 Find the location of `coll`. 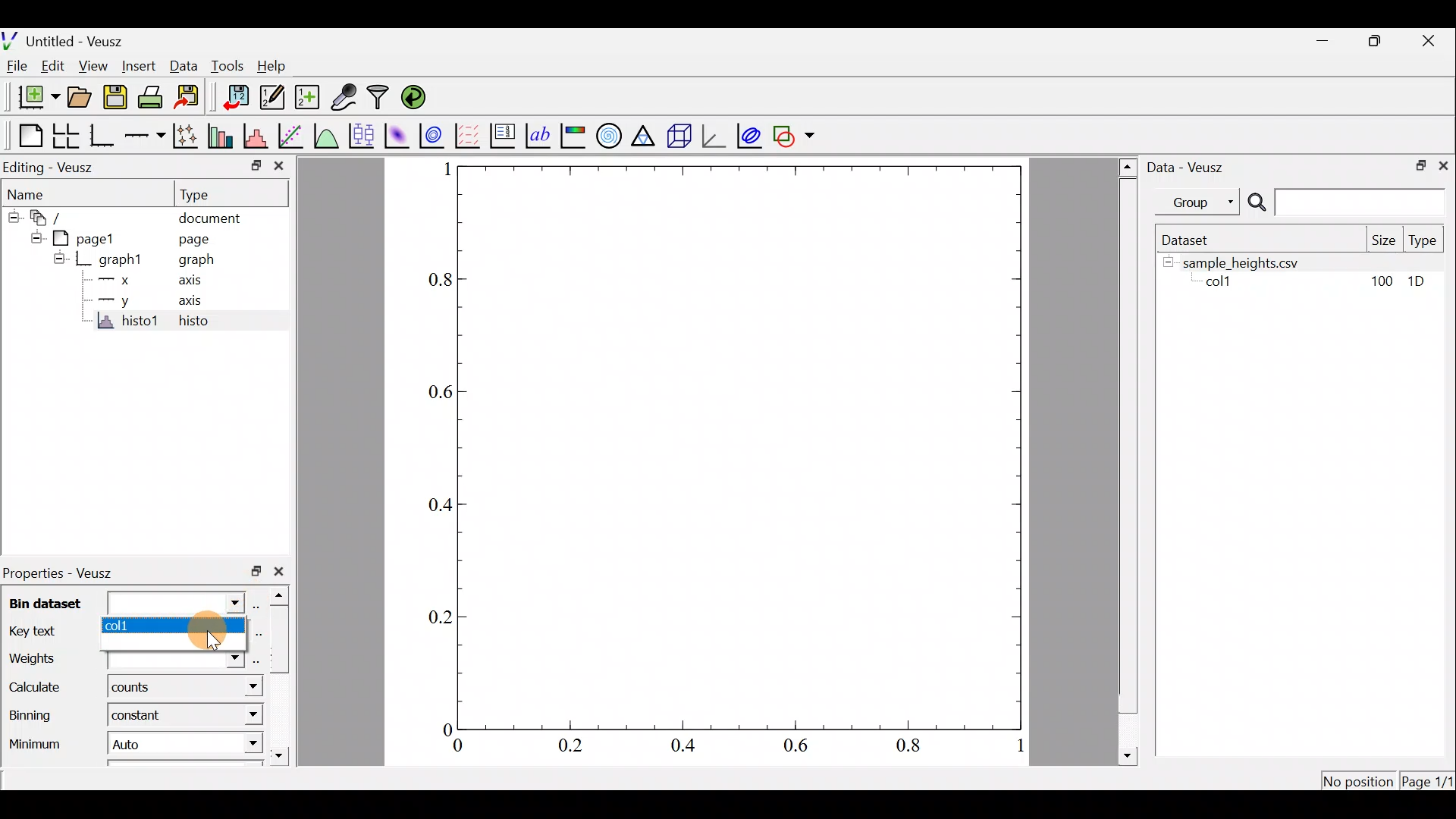

coll is located at coordinates (1225, 283).